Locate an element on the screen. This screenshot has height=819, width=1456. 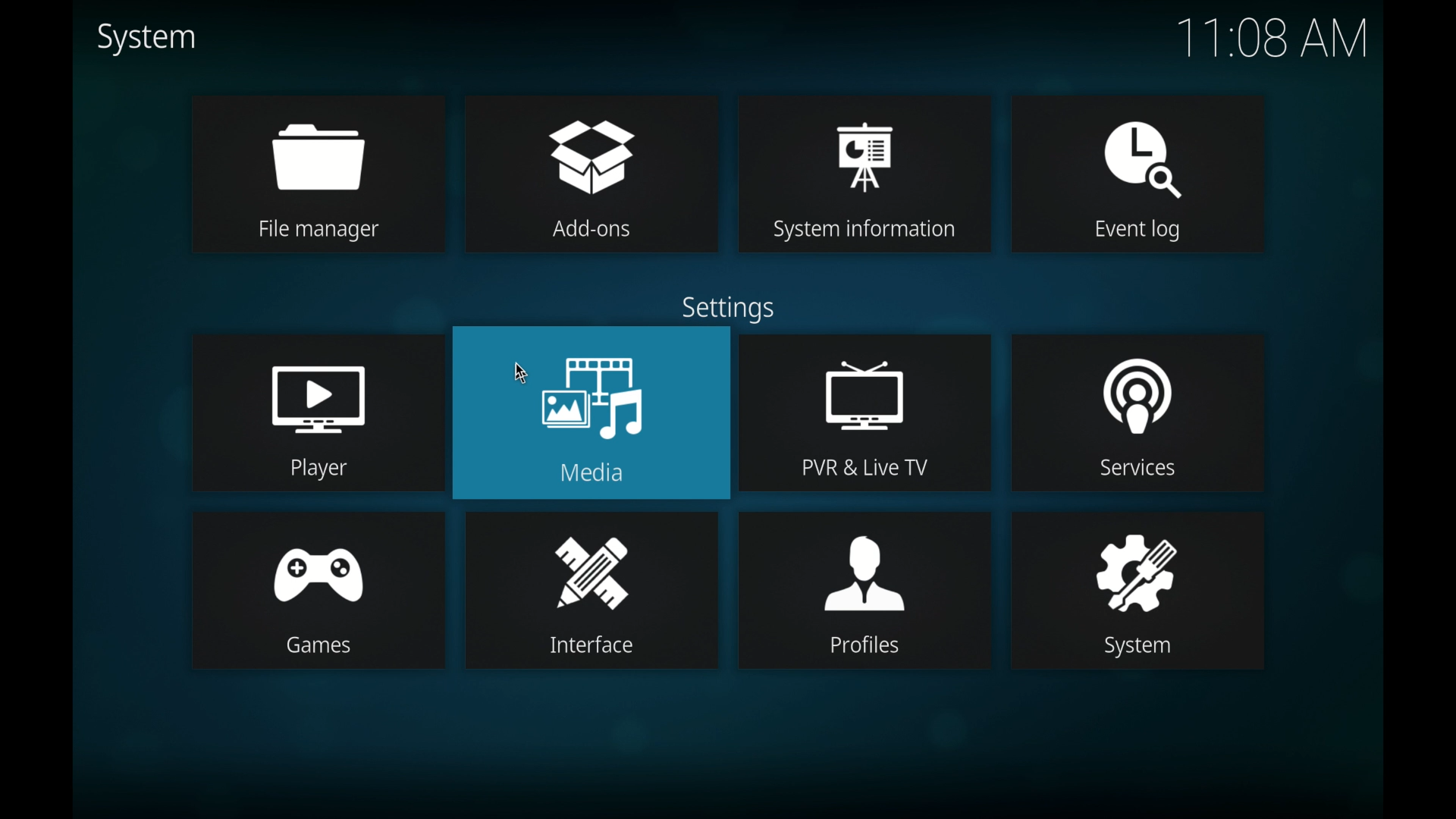
profiles is located at coordinates (865, 589).